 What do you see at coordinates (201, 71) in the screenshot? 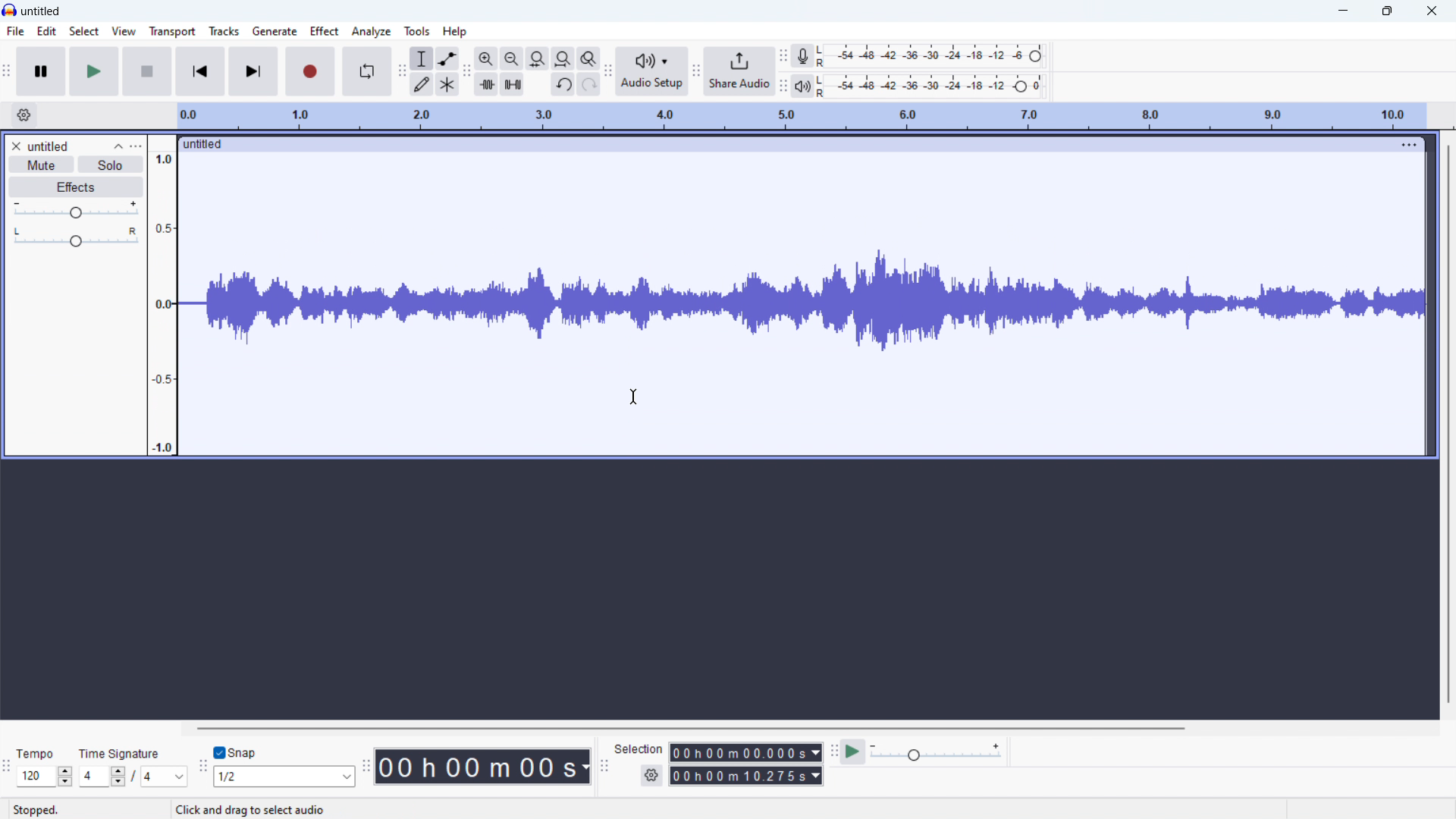
I see `skip to start` at bounding box center [201, 71].